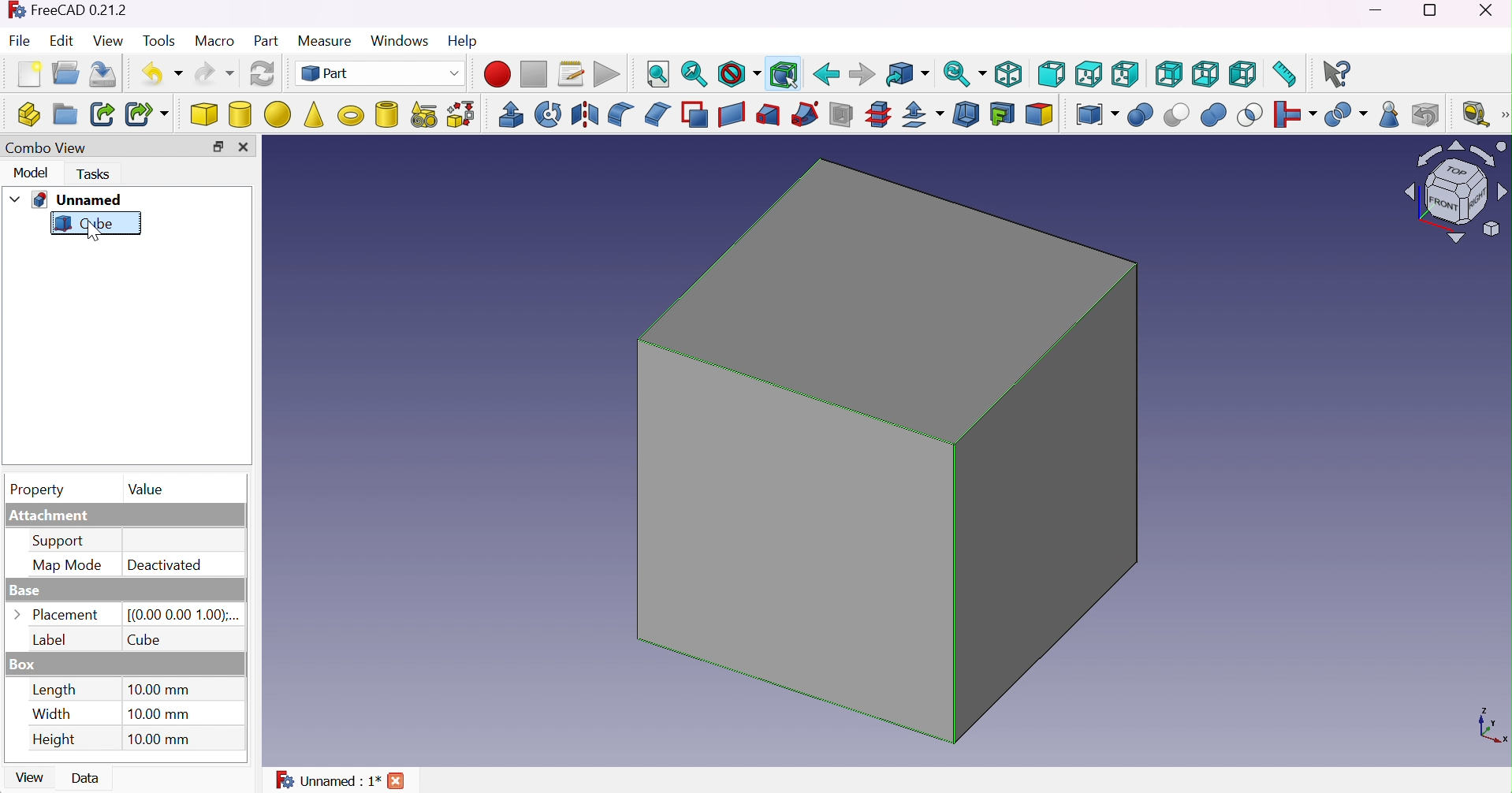 The image size is (1512, 793). I want to click on Make sub-link, so click(146, 116).